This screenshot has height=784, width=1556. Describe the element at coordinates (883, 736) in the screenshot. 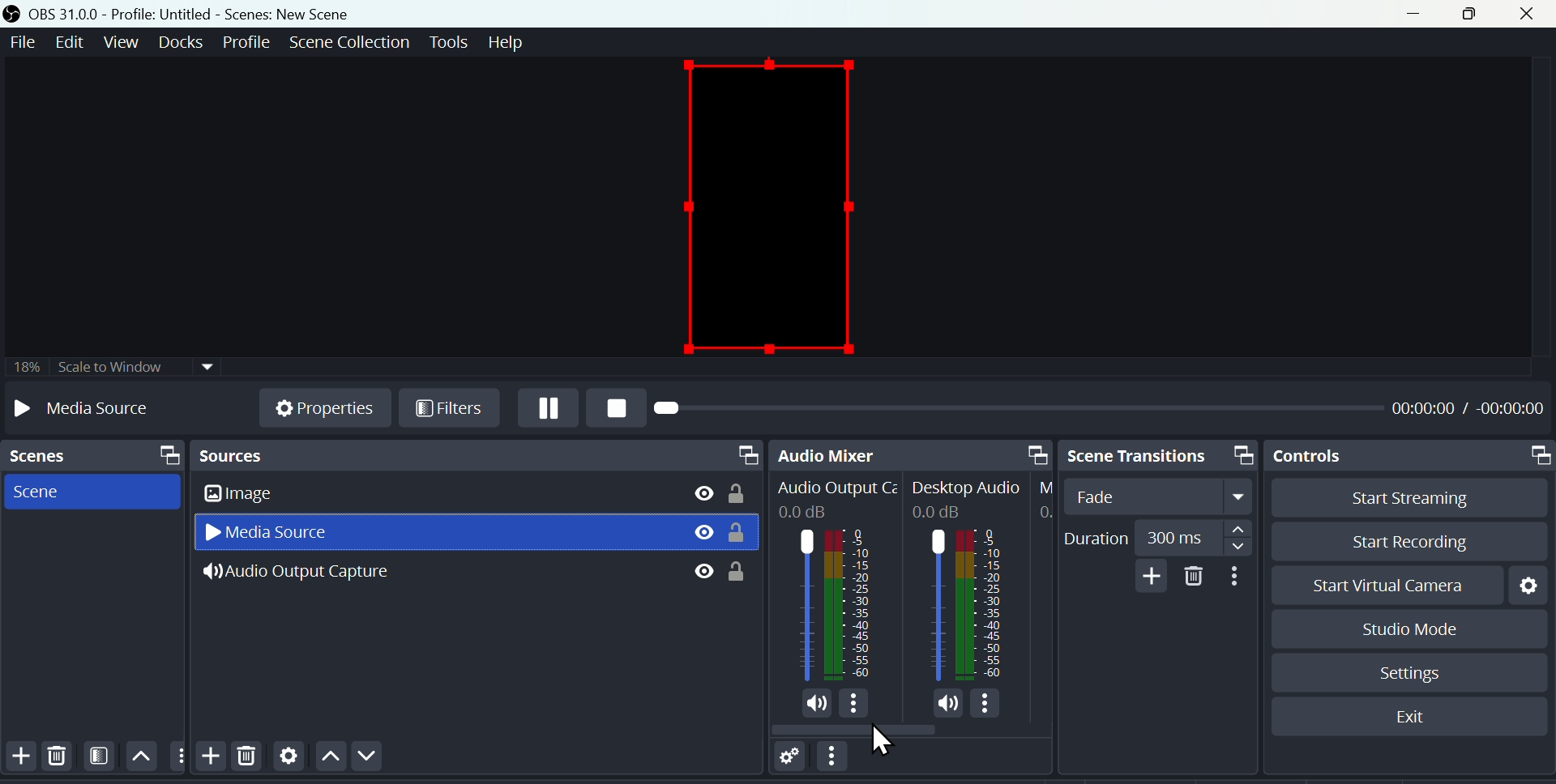

I see `Cursar` at that location.